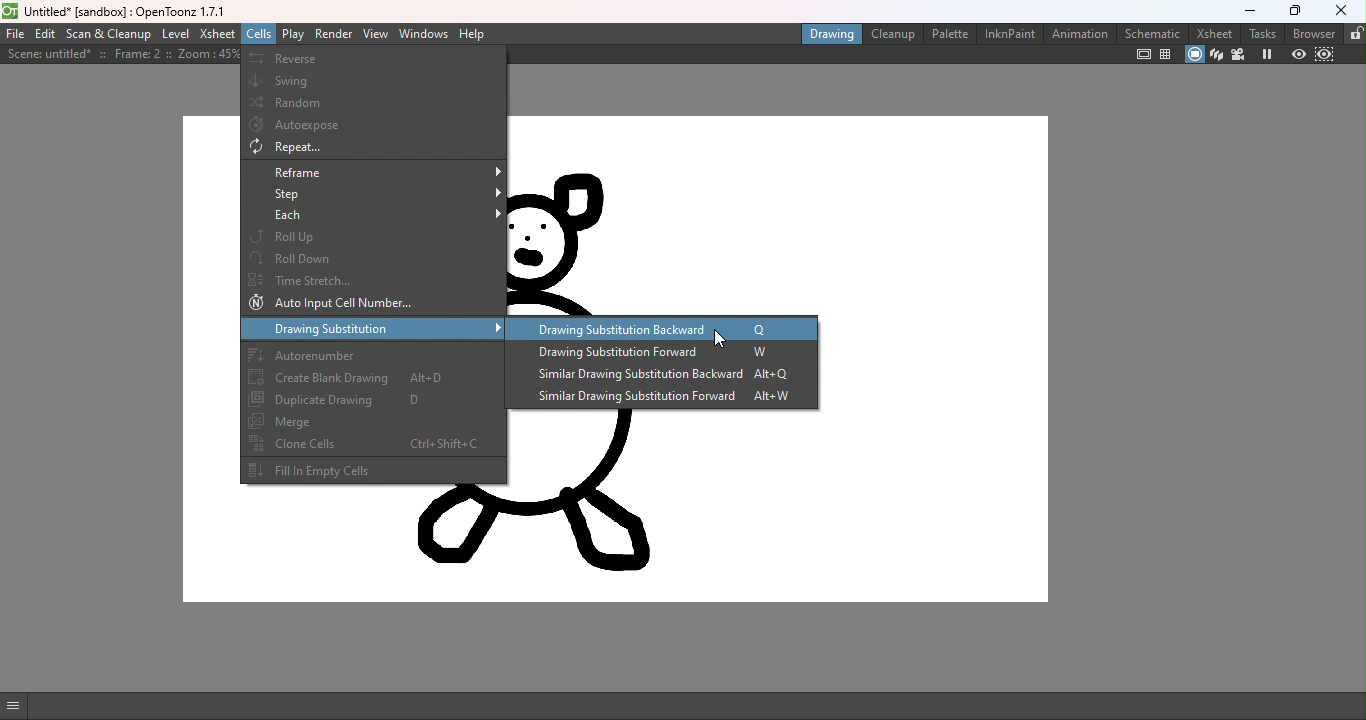 This screenshot has width=1366, height=720. Describe the element at coordinates (373, 102) in the screenshot. I see `Random` at that location.